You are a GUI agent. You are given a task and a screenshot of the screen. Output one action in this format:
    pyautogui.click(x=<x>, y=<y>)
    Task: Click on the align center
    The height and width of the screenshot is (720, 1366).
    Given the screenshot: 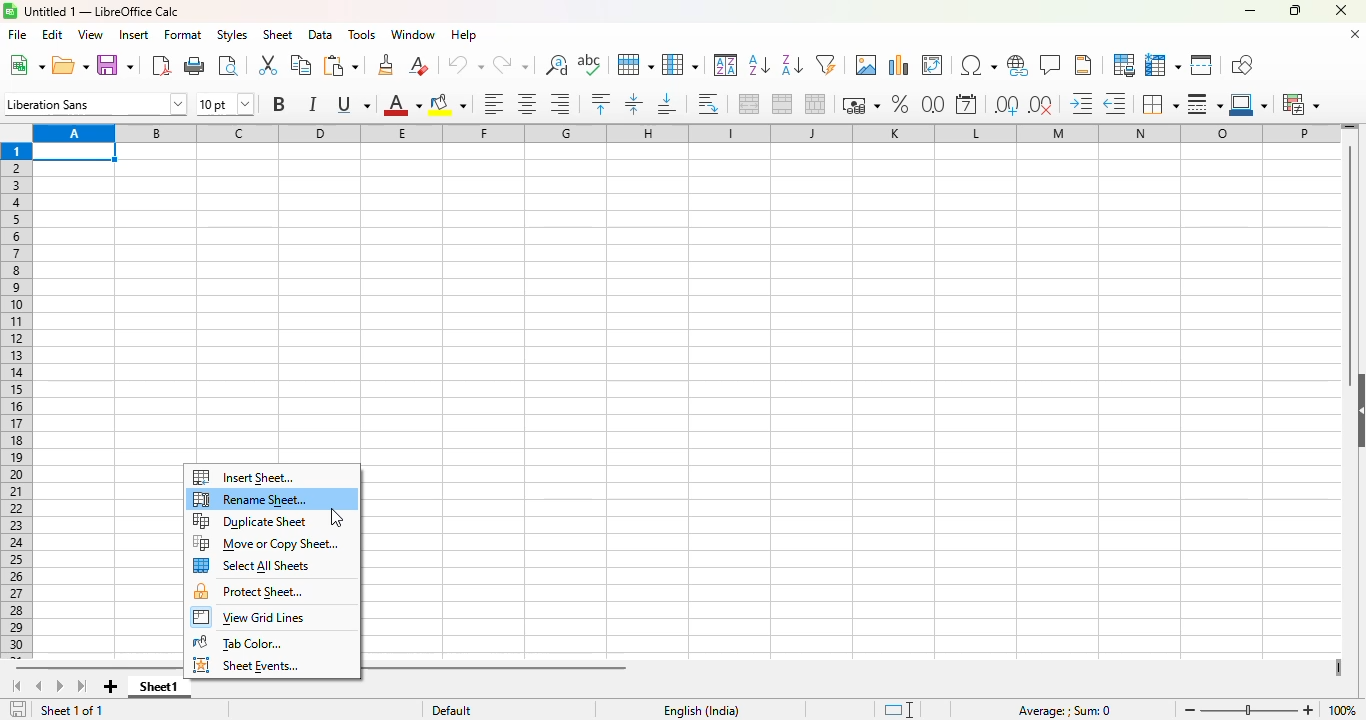 What is the action you would take?
    pyautogui.click(x=528, y=104)
    